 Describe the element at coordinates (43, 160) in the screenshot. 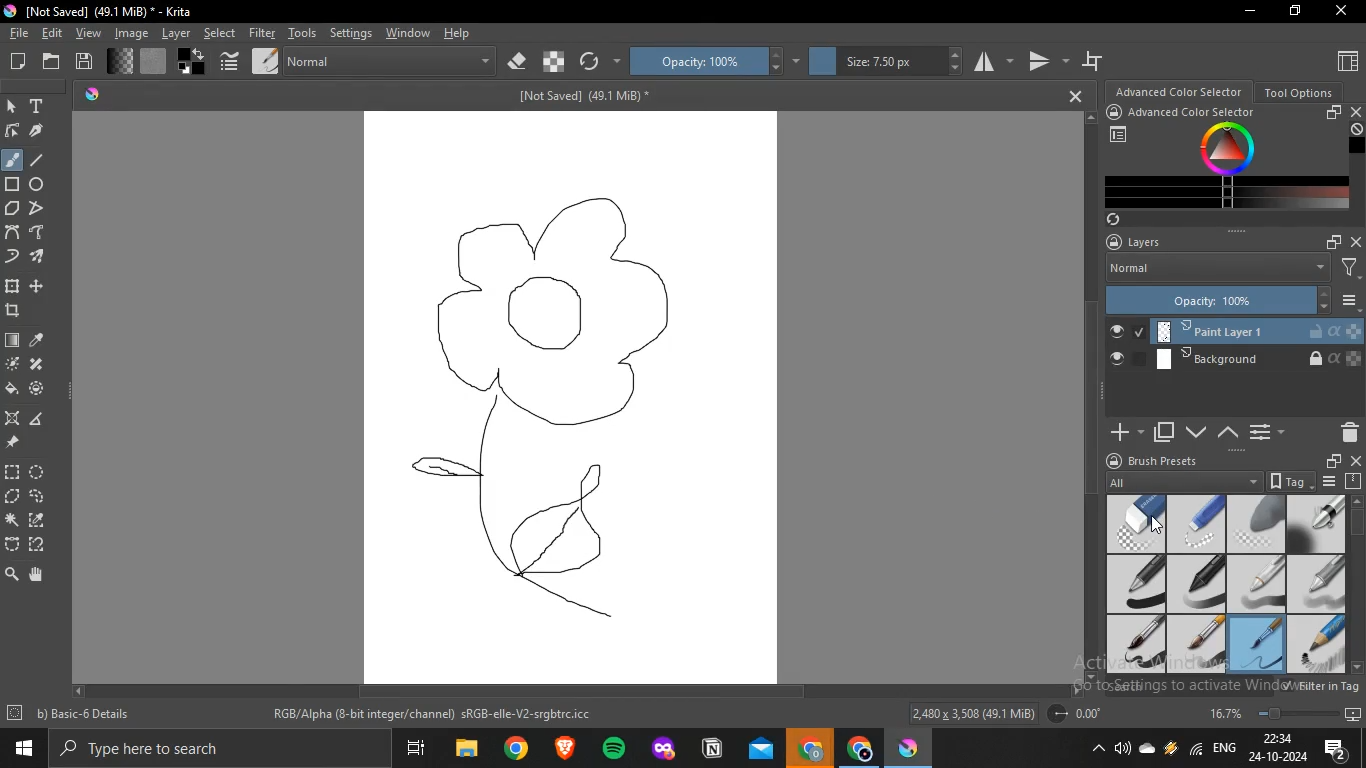

I see `line tool` at that location.